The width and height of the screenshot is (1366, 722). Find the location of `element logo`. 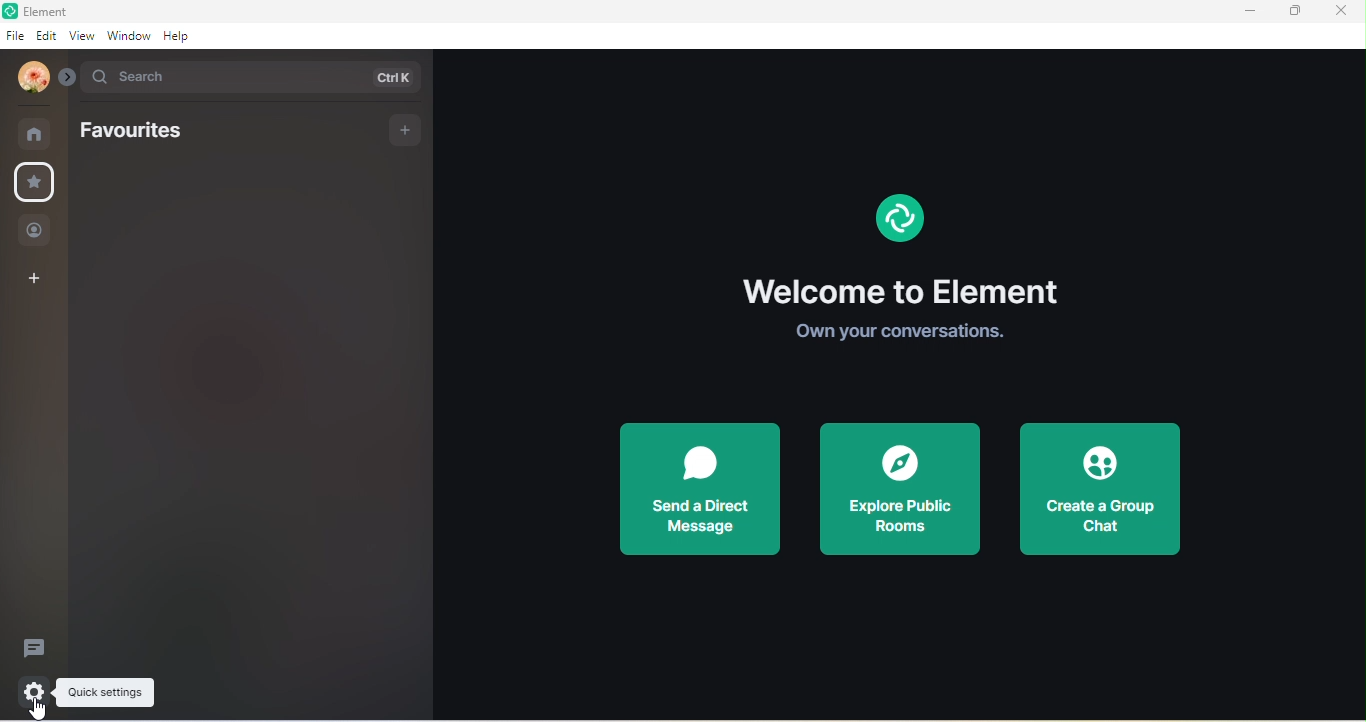

element logo is located at coordinates (896, 227).